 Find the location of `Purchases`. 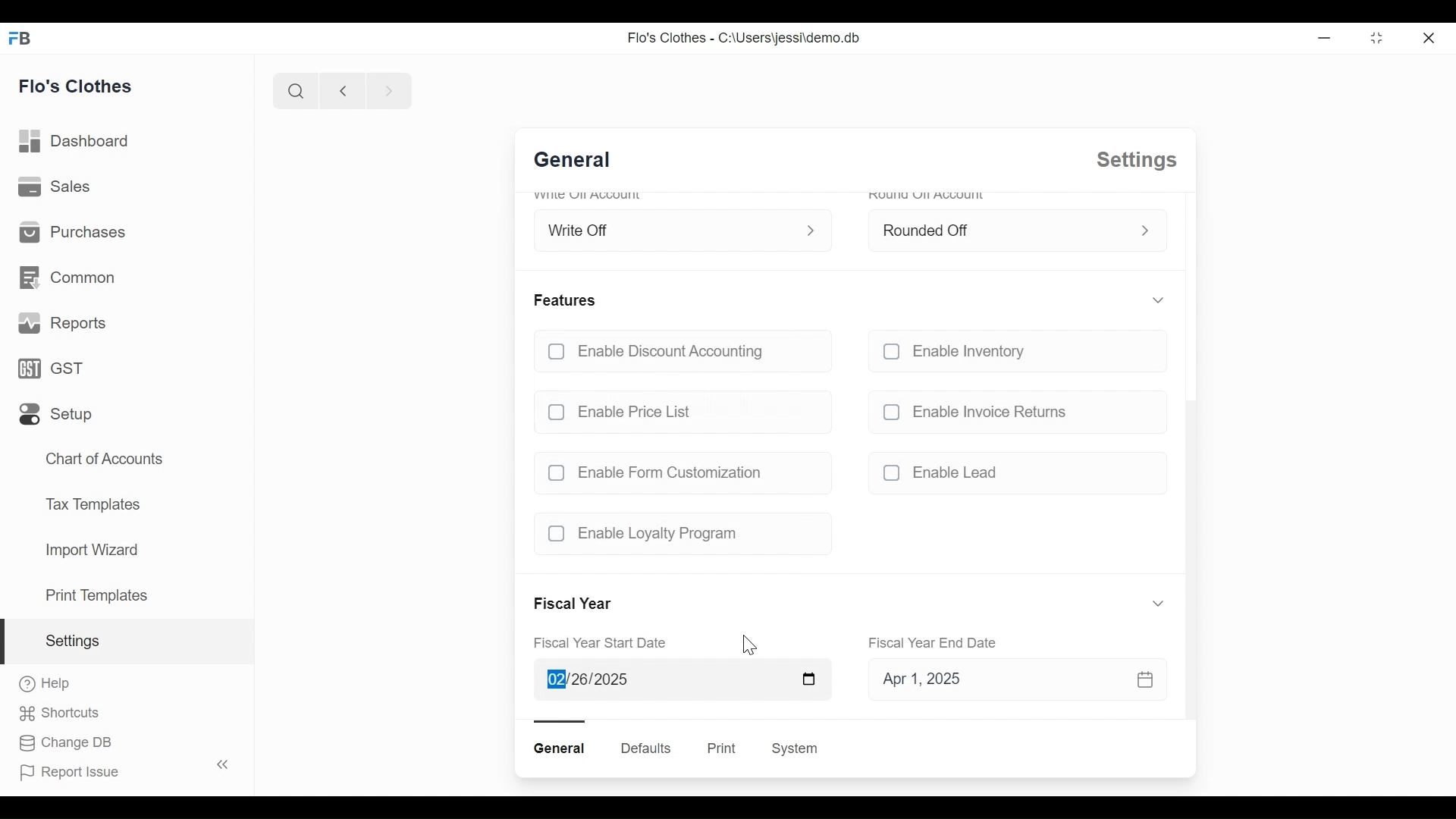

Purchases is located at coordinates (71, 233).